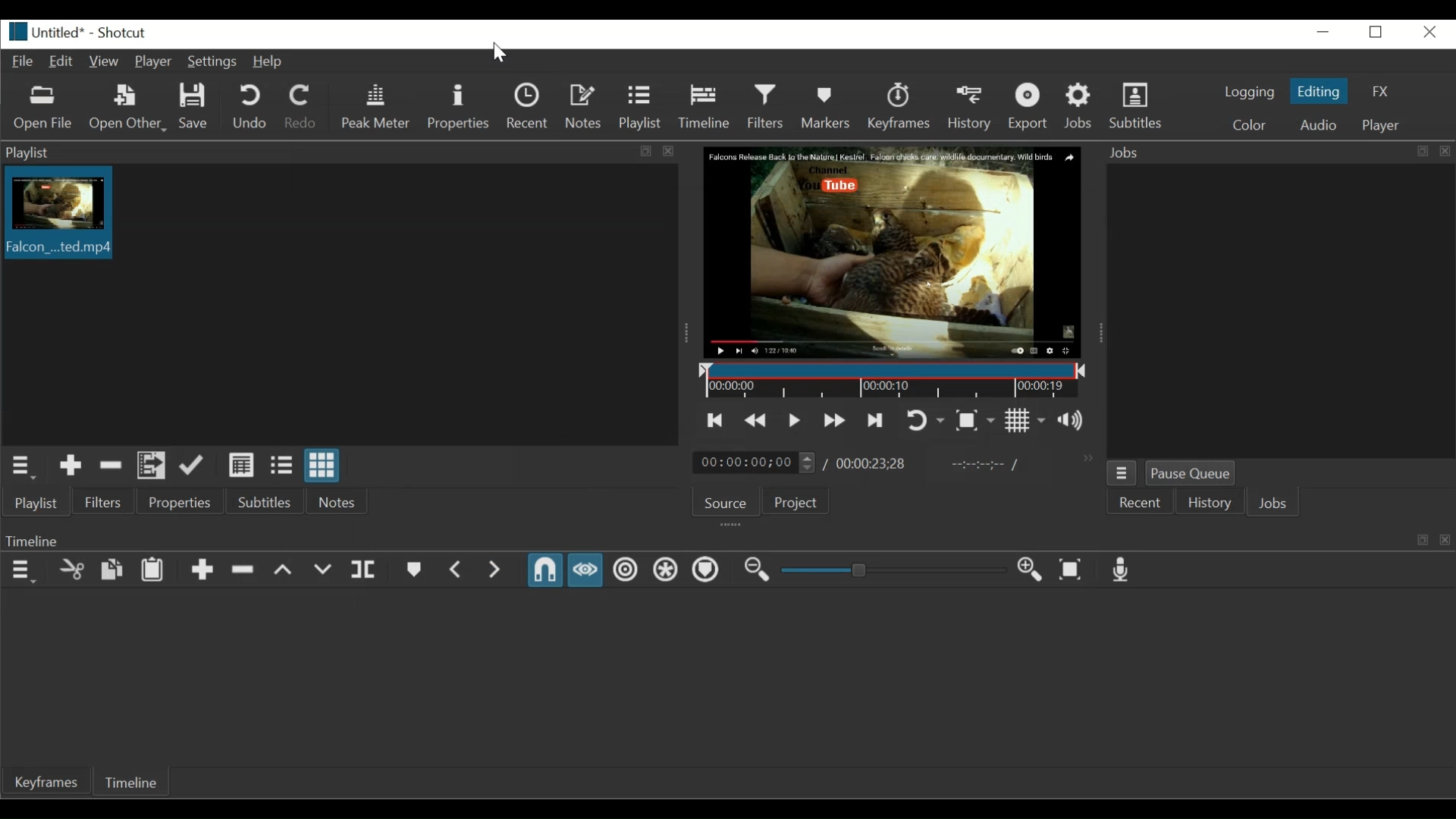 The height and width of the screenshot is (819, 1456). Describe the element at coordinates (665, 572) in the screenshot. I see `Ripple all tracks` at that location.